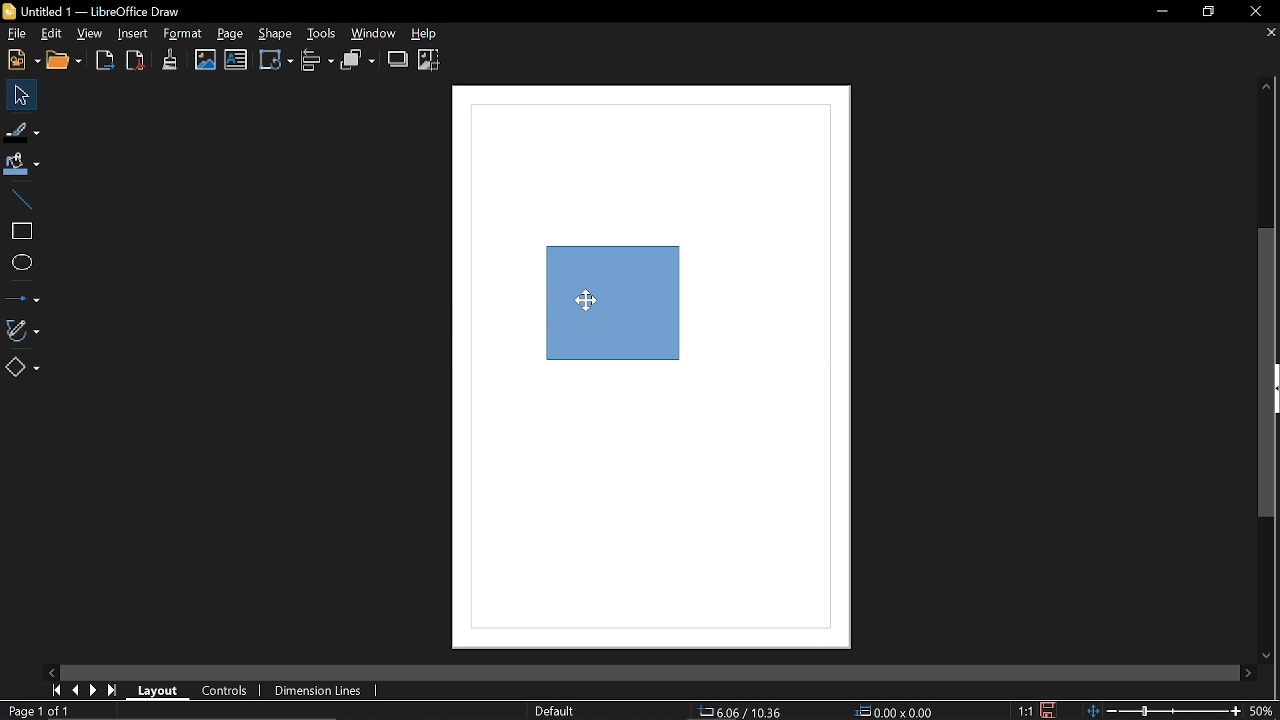  Describe the element at coordinates (322, 33) in the screenshot. I see `Tools` at that location.